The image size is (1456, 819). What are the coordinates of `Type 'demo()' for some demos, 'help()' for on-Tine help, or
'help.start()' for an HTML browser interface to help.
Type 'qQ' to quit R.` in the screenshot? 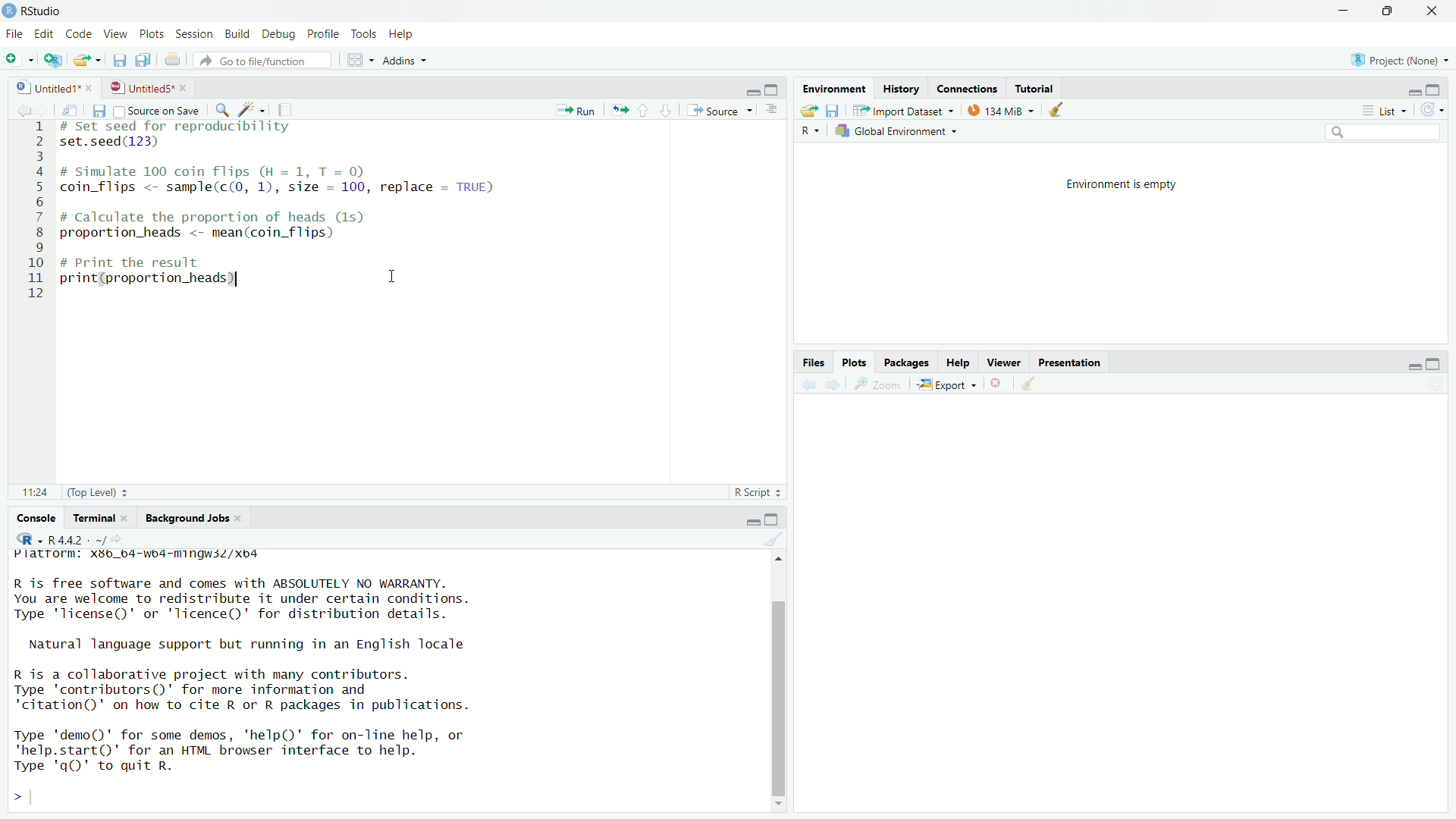 It's located at (268, 752).